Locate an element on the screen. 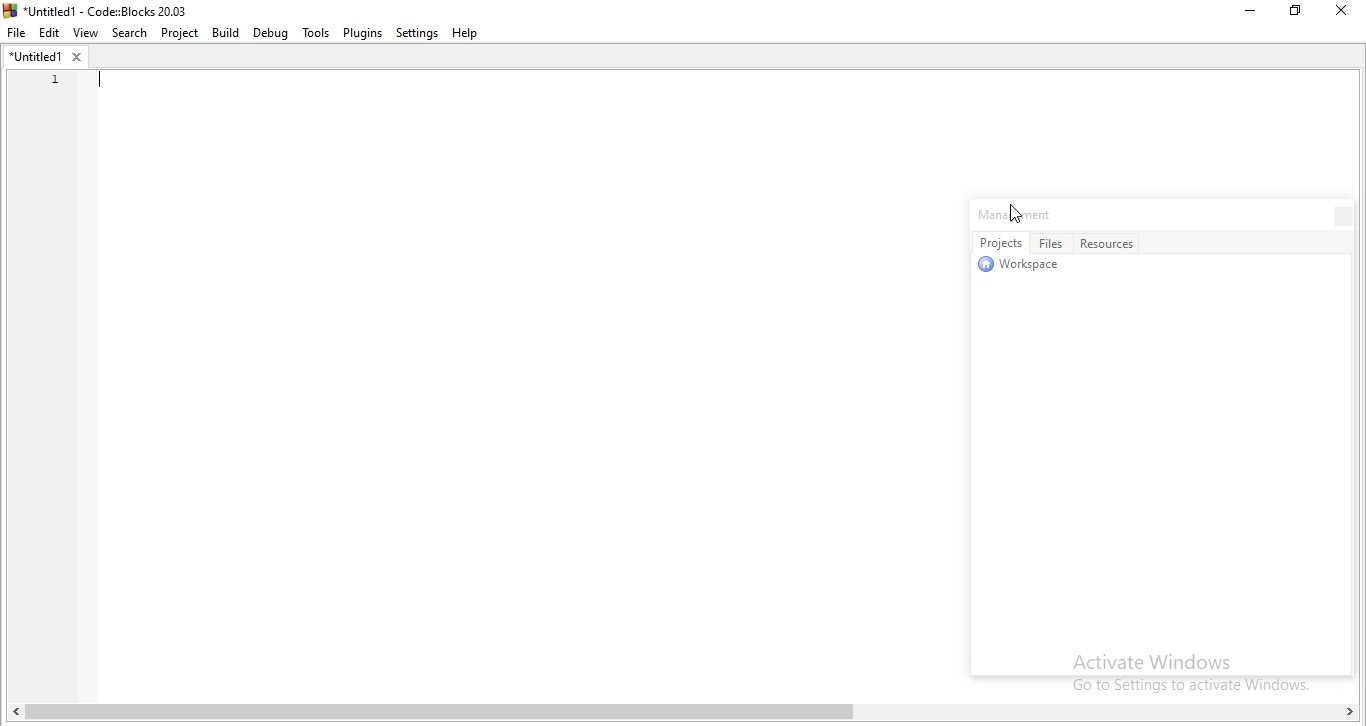 Image resolution: width=1366 pixels, height=726 pixels. workspace is located at coordinates (1024, 268).